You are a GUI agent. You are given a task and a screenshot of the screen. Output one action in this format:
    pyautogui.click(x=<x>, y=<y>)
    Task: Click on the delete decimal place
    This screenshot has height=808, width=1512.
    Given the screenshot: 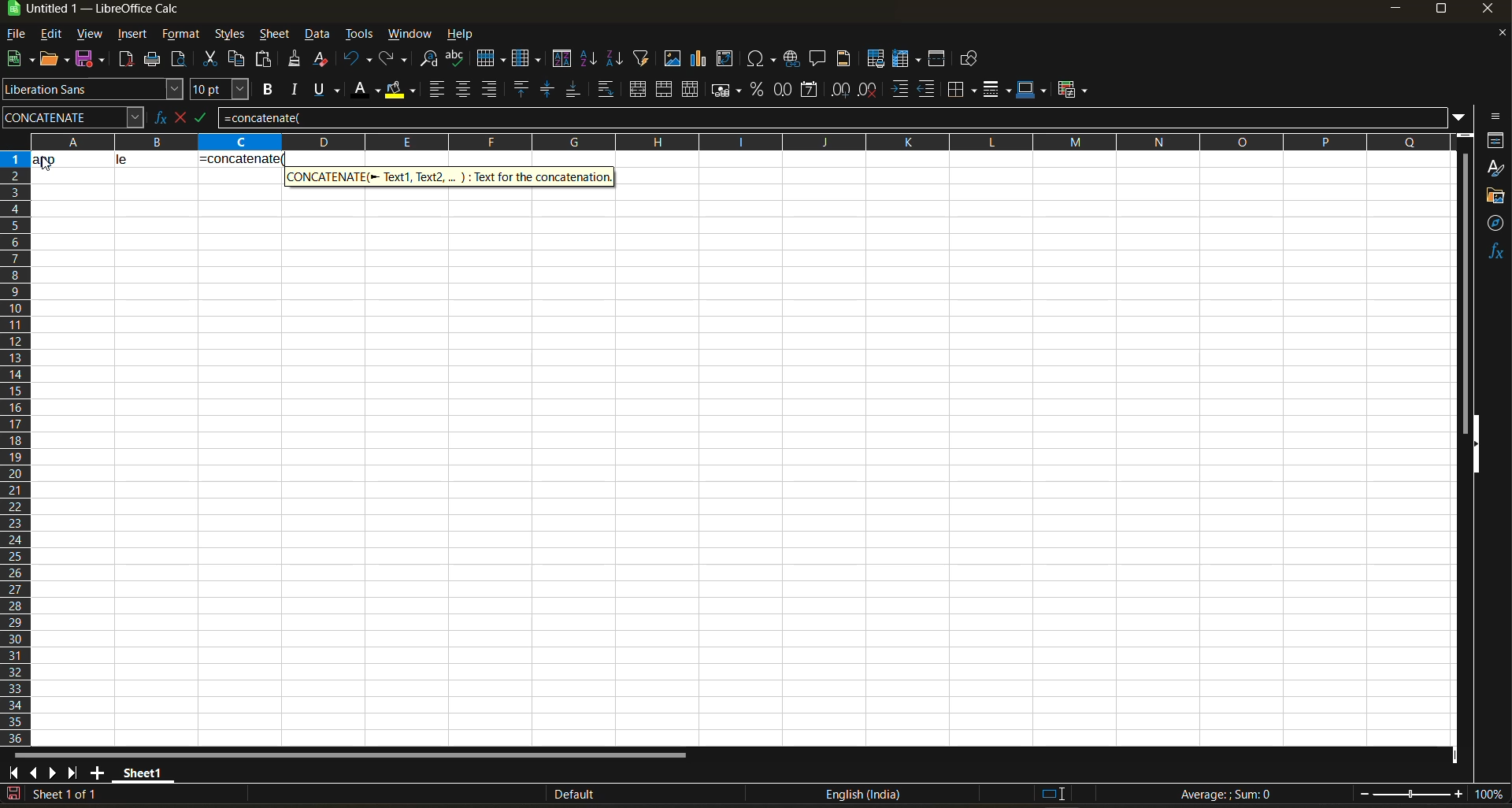 What is the action you would take?
    pyautogui.click(x=869, y=90)
    